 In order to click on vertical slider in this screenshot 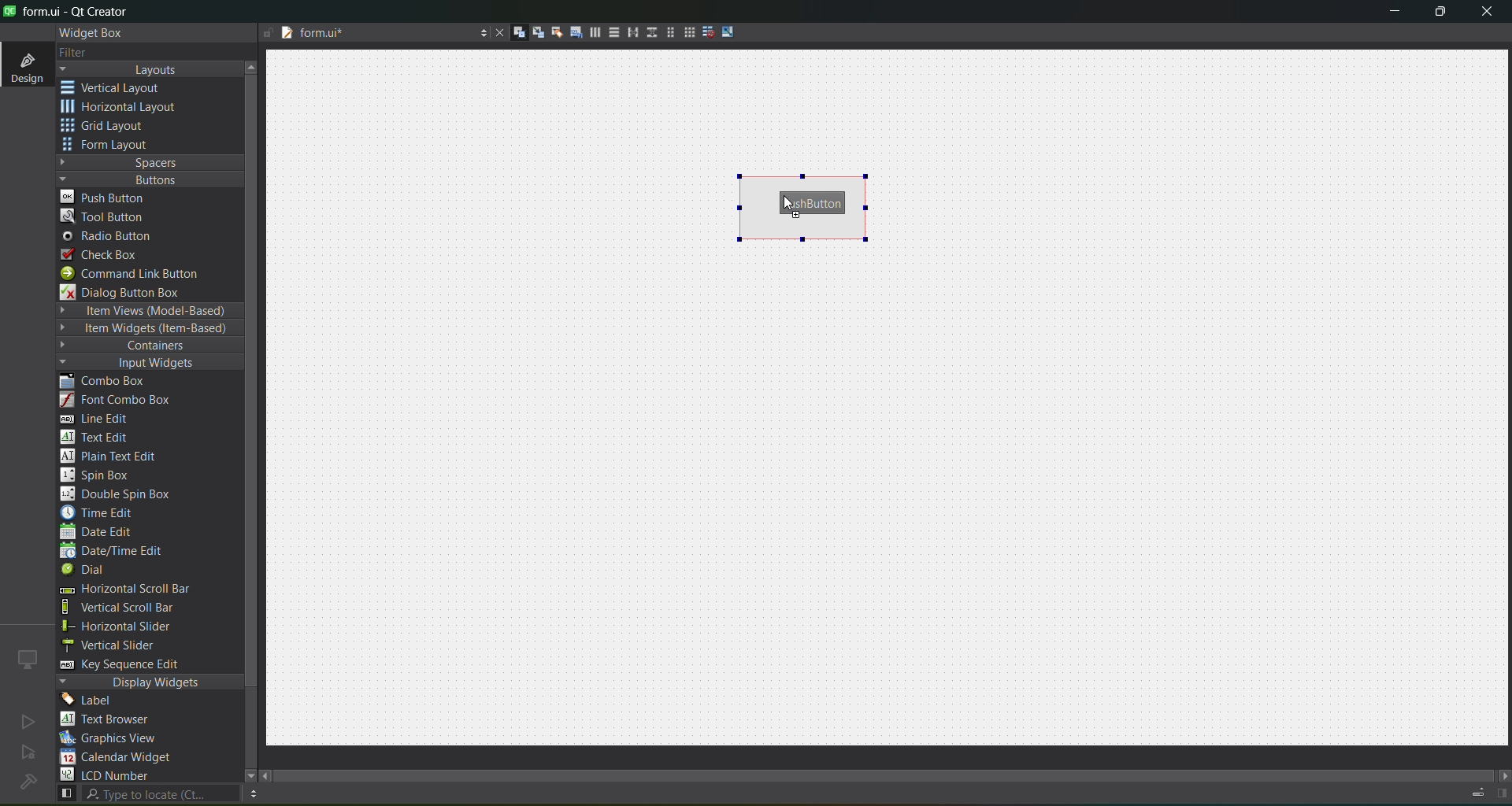, I will do `click(124, 645)`.